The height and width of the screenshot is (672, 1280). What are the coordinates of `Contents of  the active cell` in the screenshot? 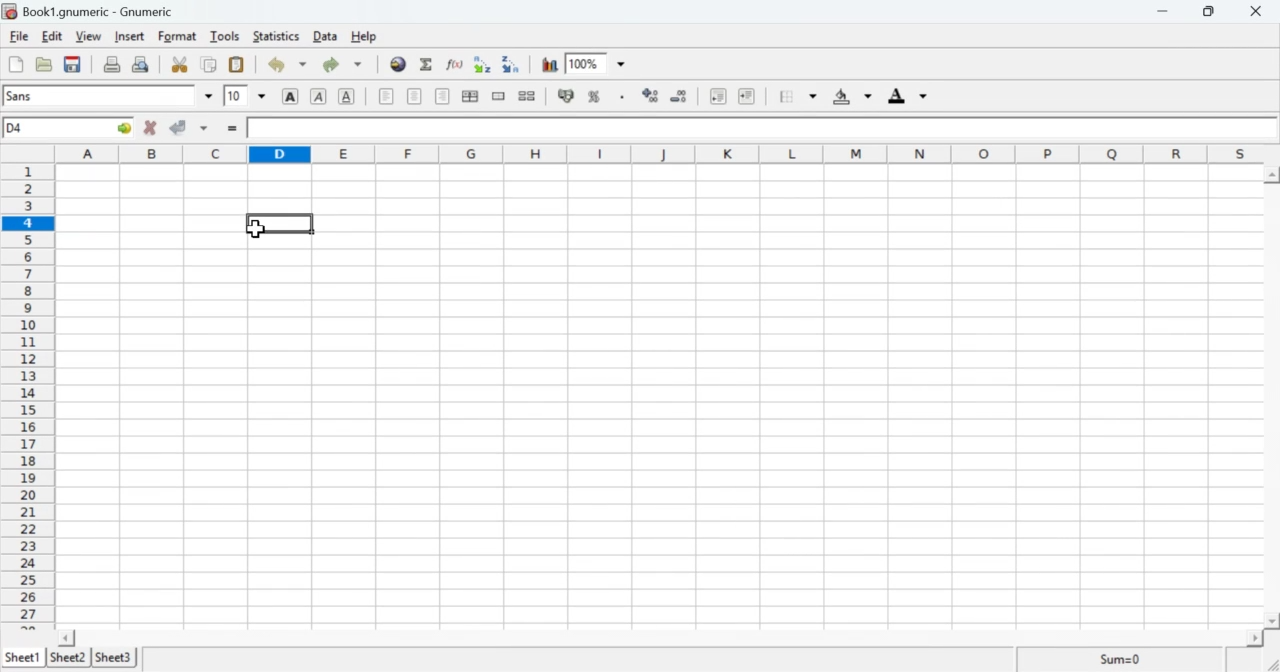 It's located at (756, 129).